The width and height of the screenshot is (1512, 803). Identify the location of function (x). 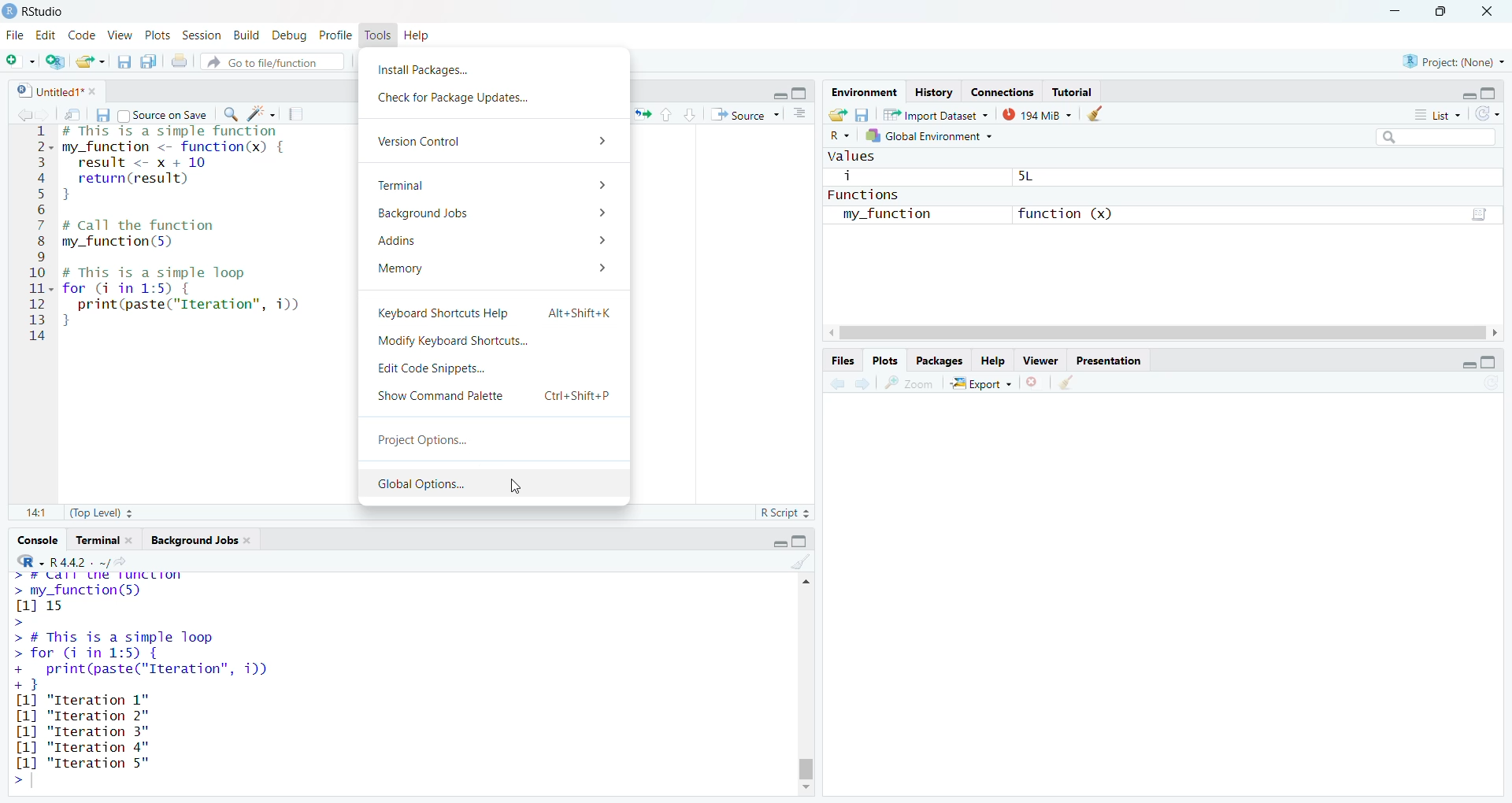
(1063, 213).